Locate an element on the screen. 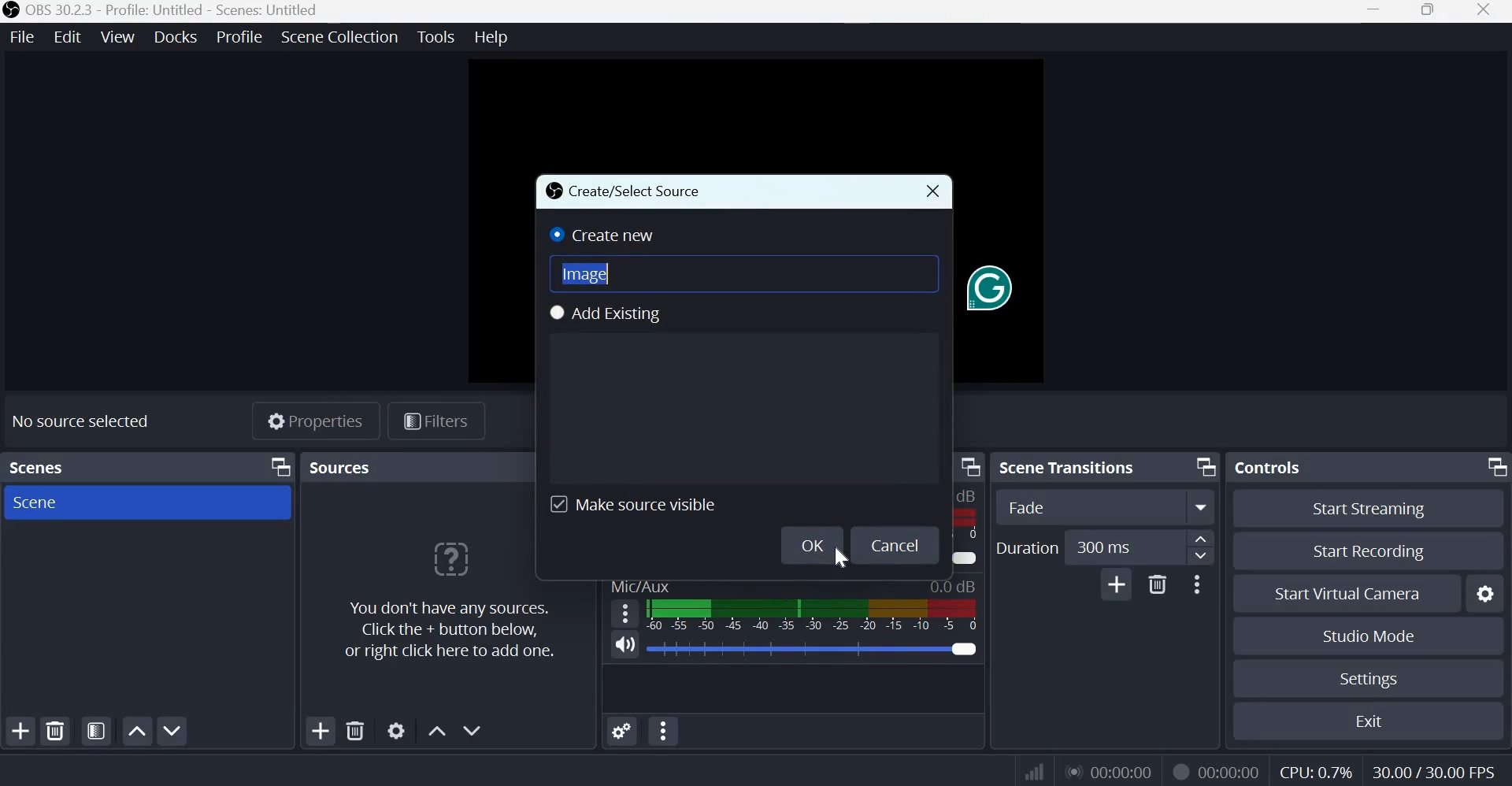 This screenshot has height=786, width=1512. Dock Options icon is located at coordinates (276, 467).